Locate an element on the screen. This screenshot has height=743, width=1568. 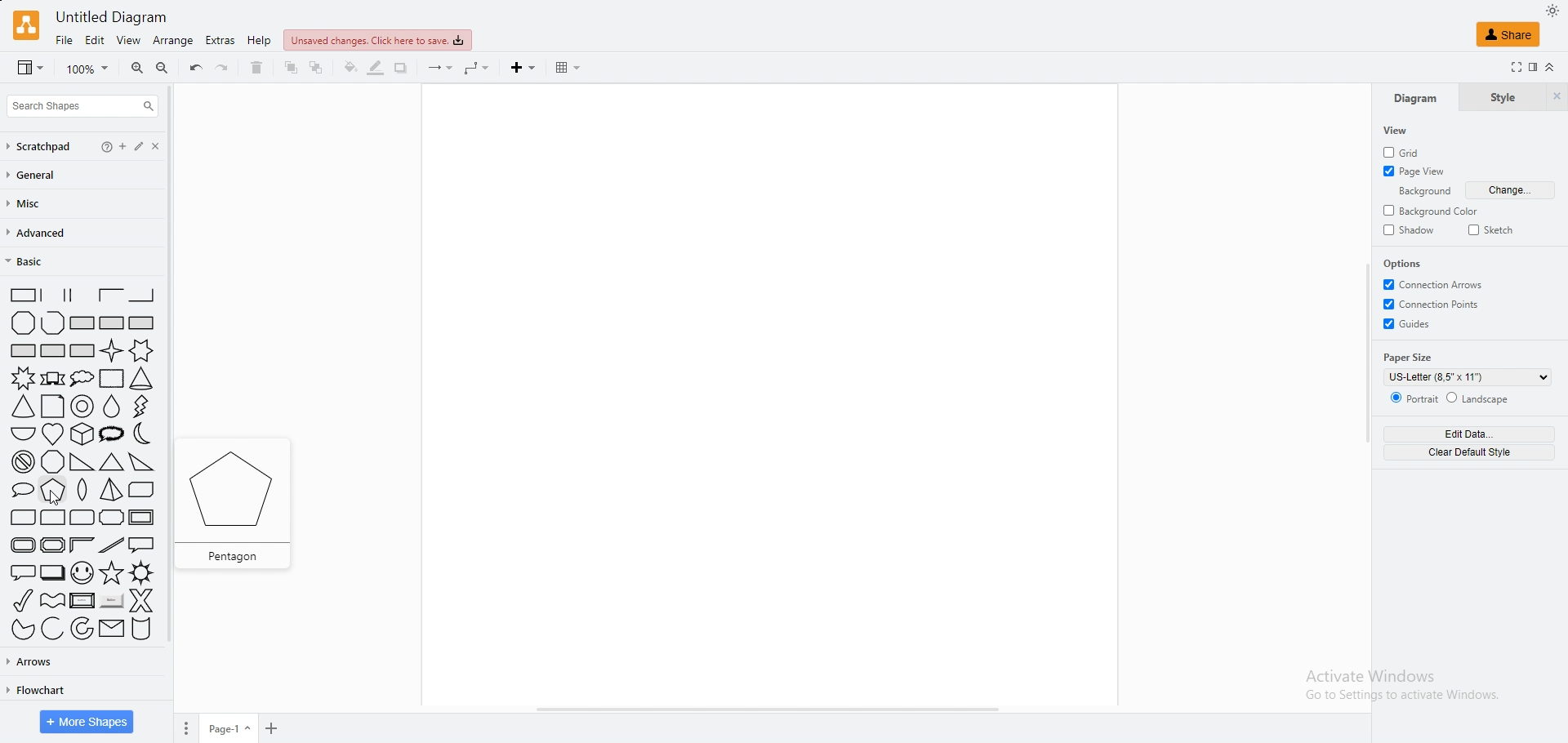
moon is located at coordinates (146, 434).